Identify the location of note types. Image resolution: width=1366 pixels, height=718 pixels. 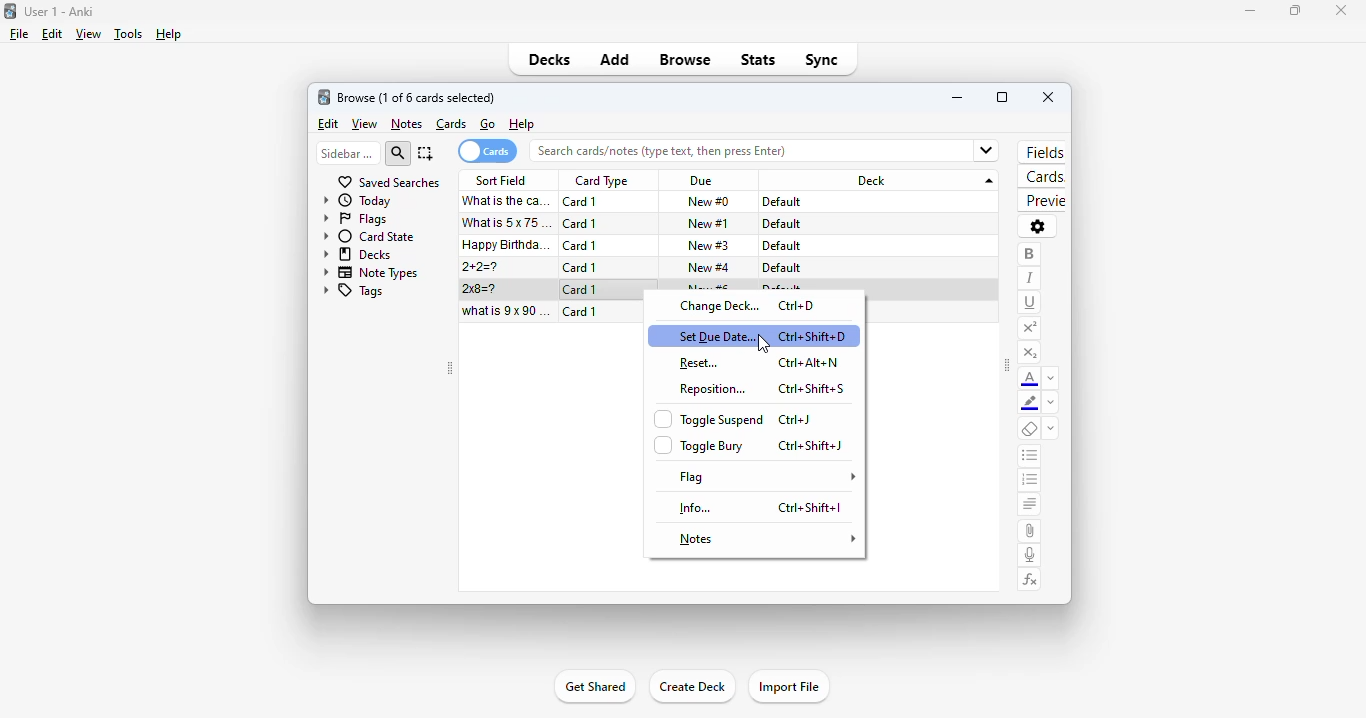
(372, 272).